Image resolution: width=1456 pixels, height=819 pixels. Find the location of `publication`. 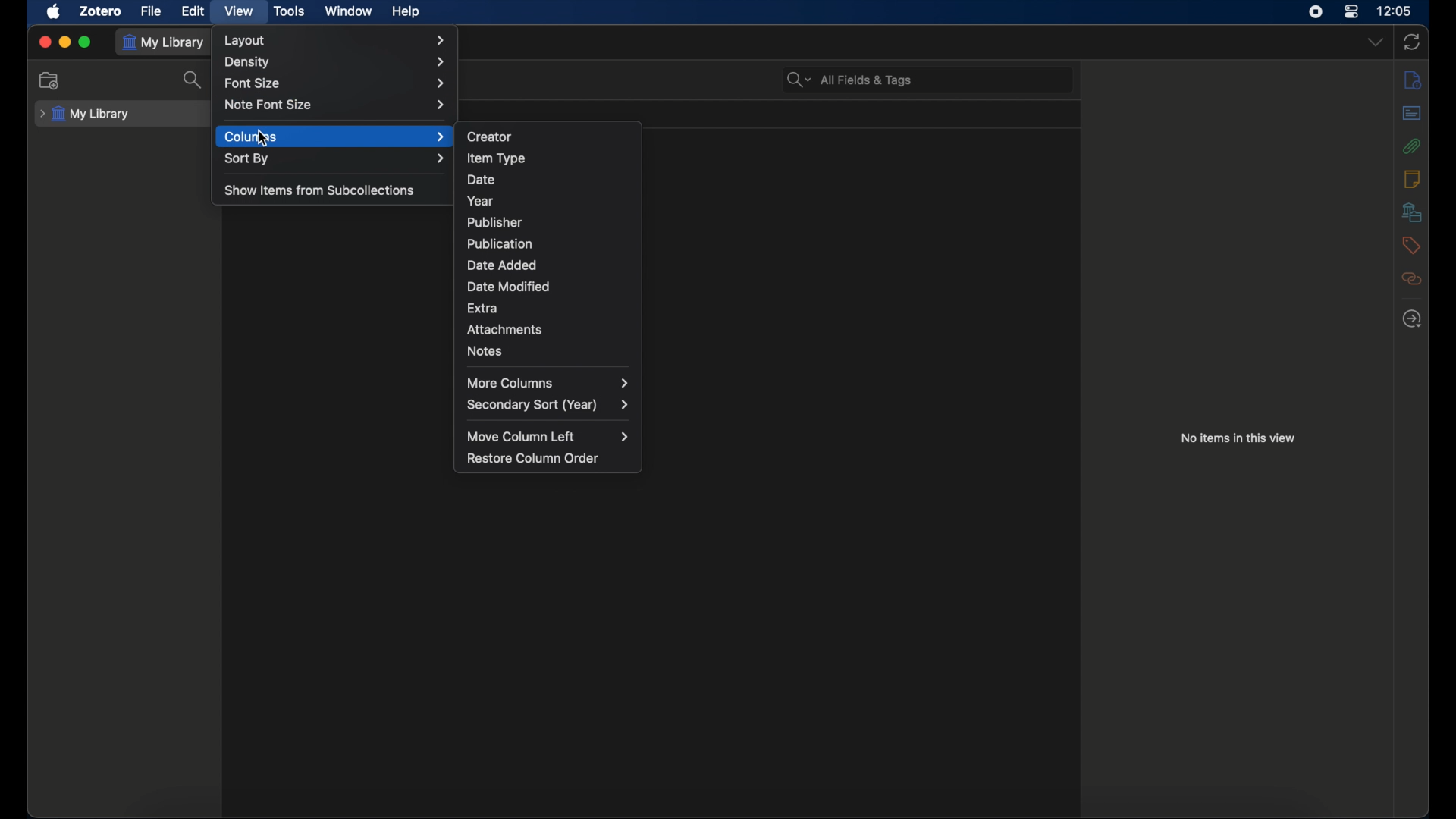

publication is located at coordinates (499, 243).